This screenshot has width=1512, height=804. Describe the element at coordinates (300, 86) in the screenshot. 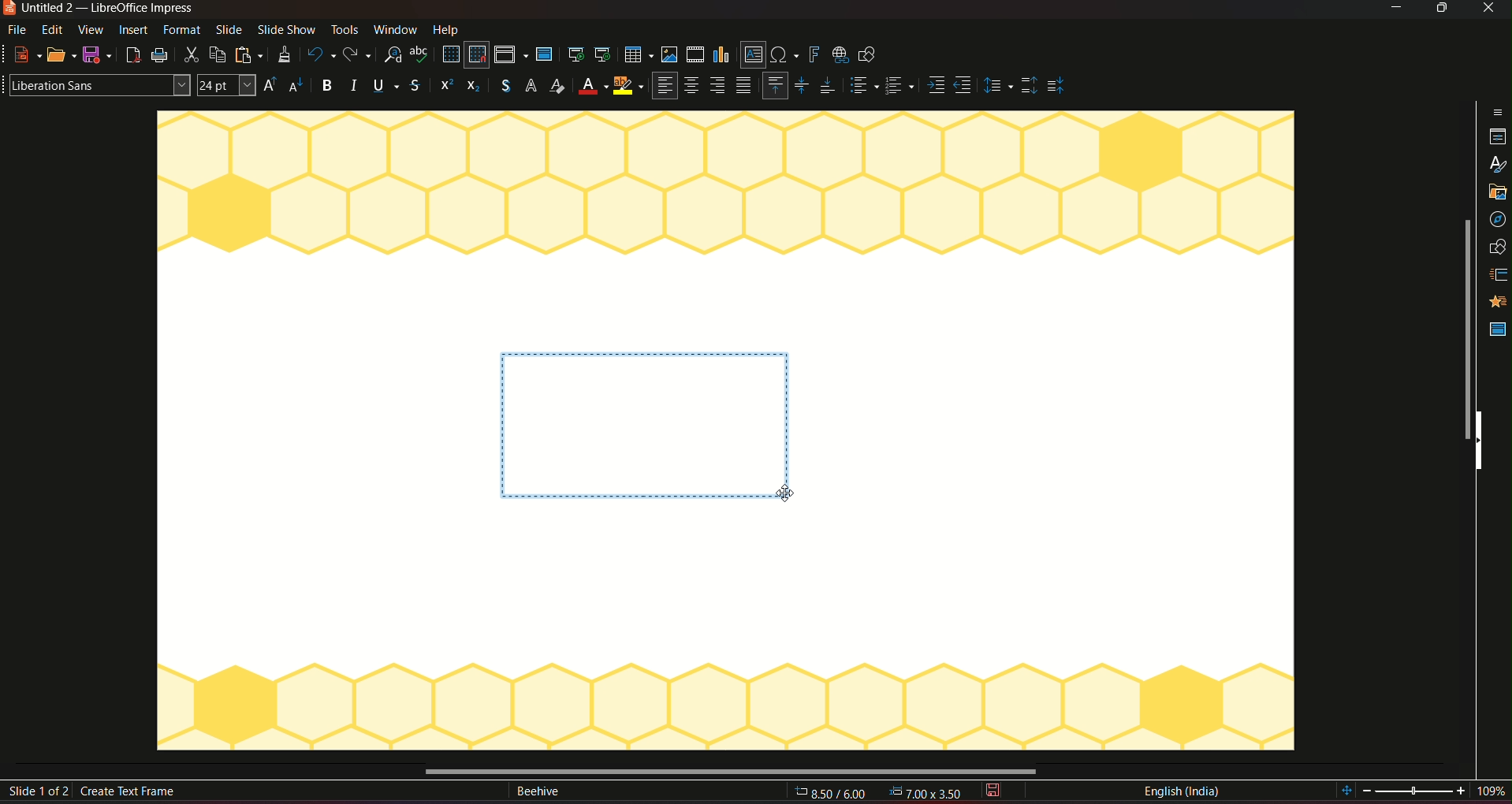

I see `size decrease` at that location.